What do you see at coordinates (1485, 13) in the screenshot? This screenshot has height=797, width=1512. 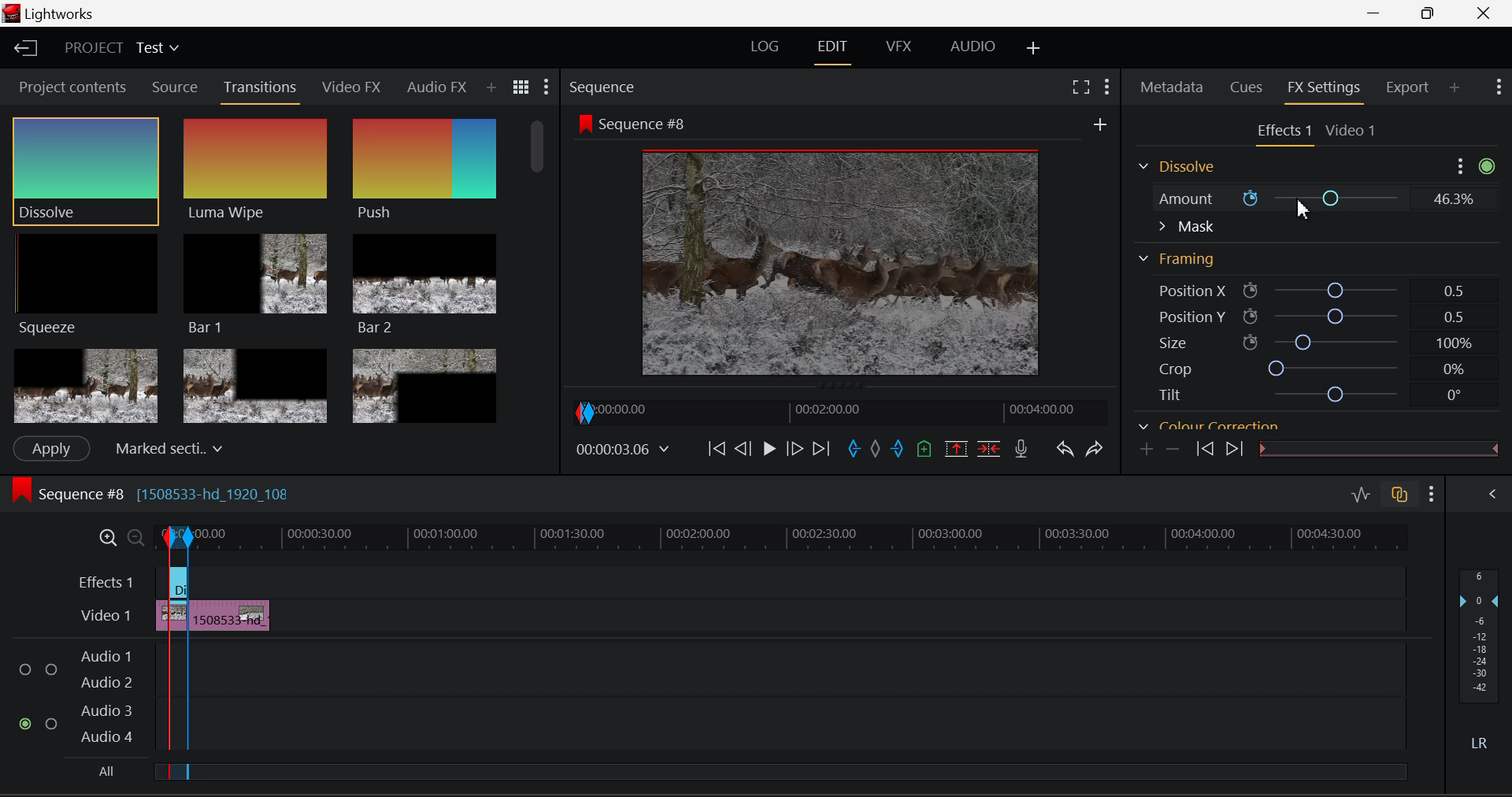 I see `Close` at bounding box center [1485, 13].